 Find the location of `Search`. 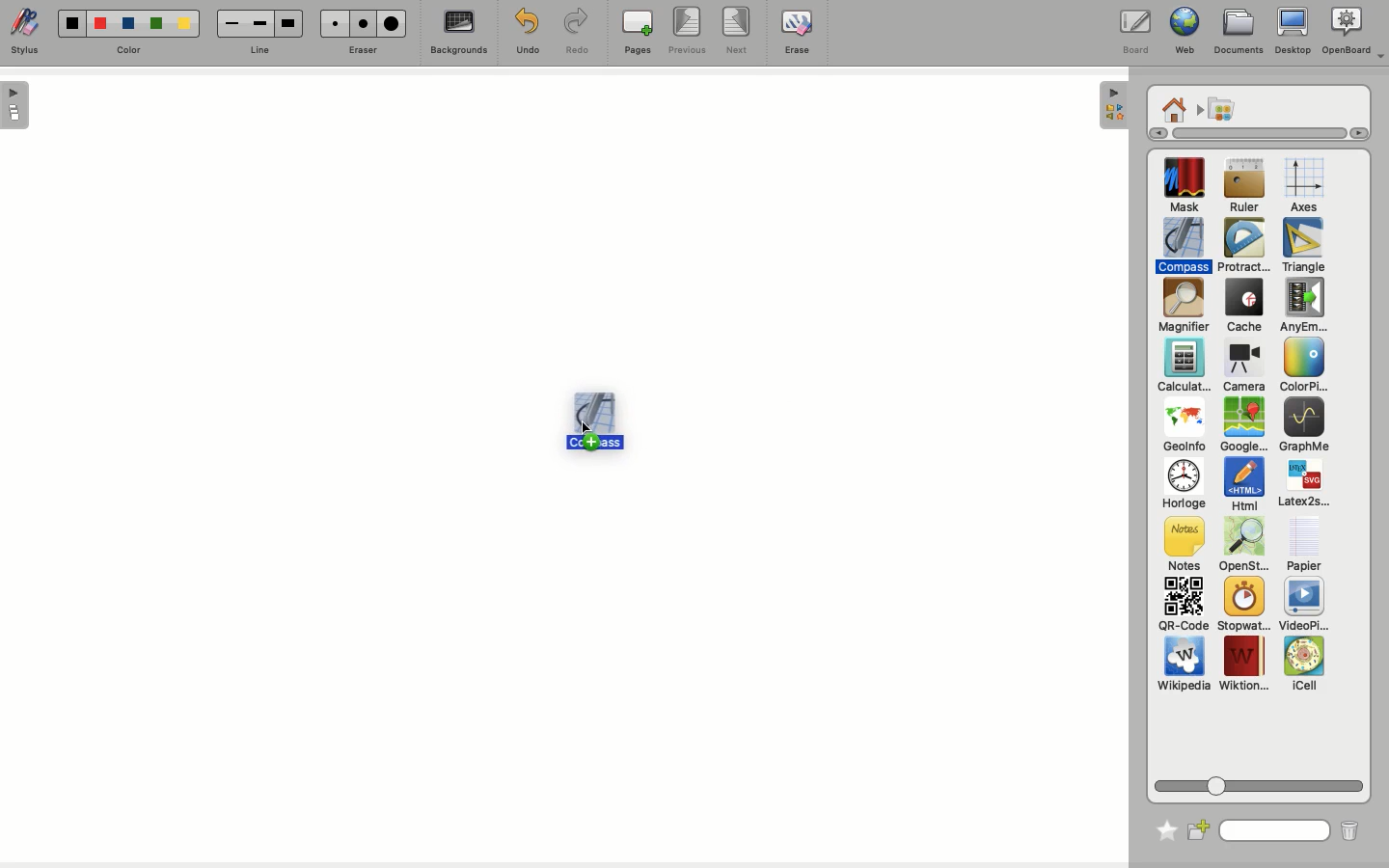

Search is located at coordinates (1275, 828).